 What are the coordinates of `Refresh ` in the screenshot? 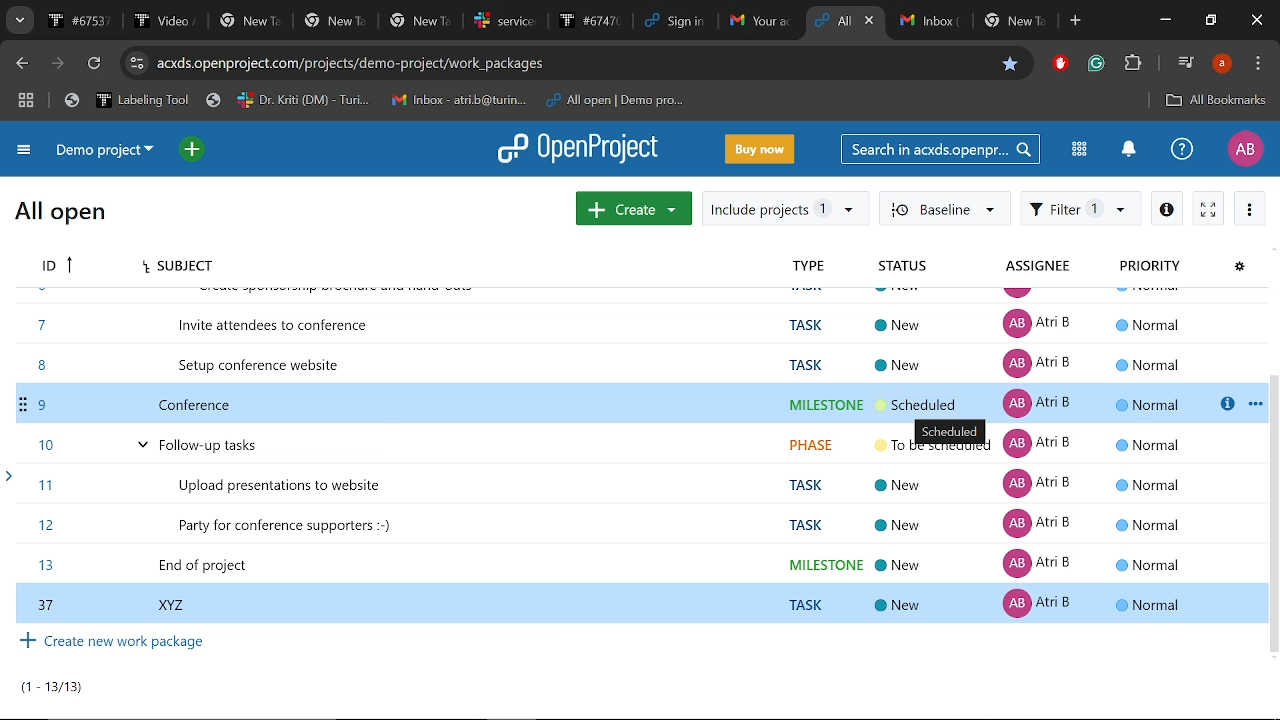 It's located at (96, 64).